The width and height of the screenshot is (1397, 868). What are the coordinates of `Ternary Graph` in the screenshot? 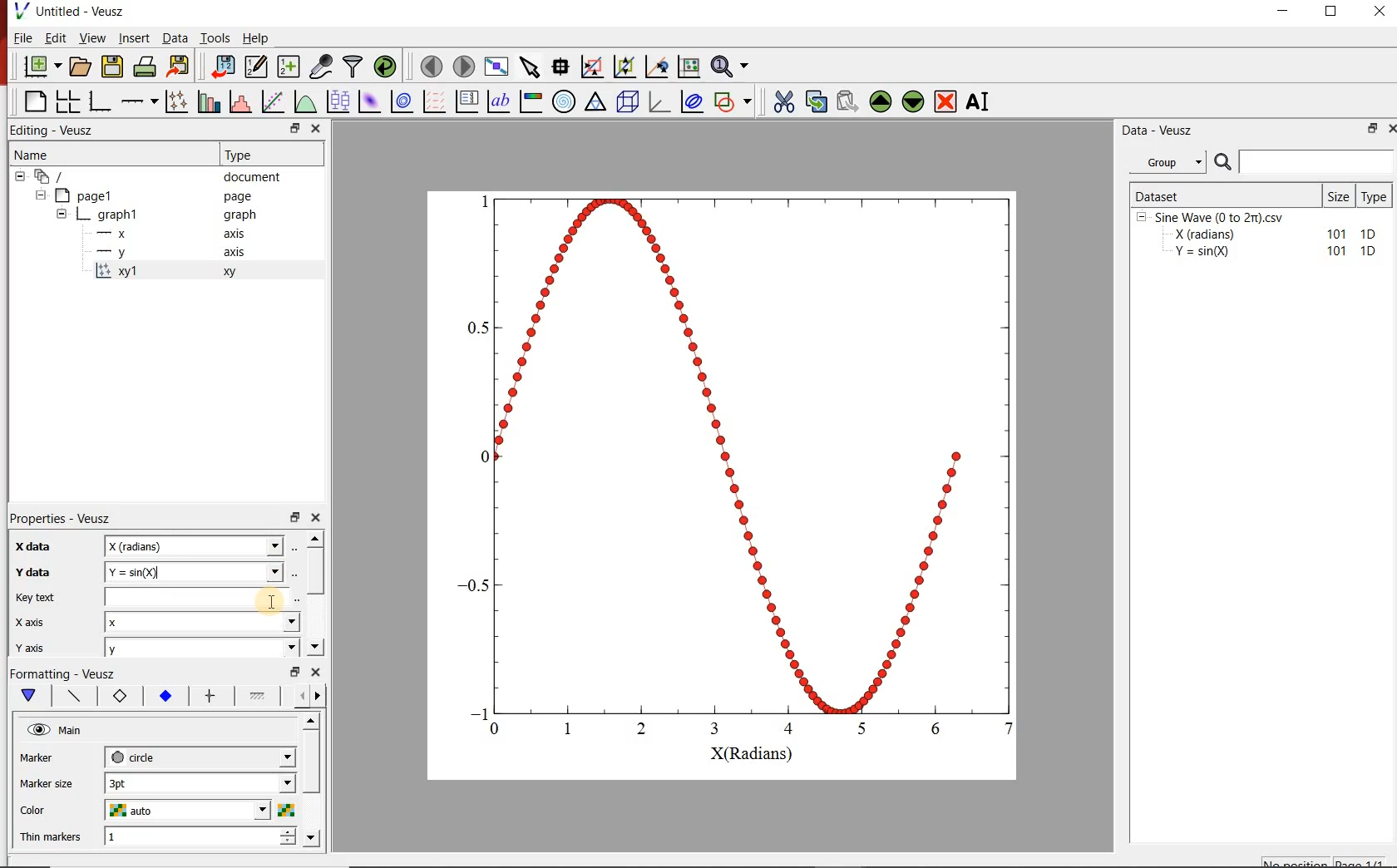 It's located at (596, 101).